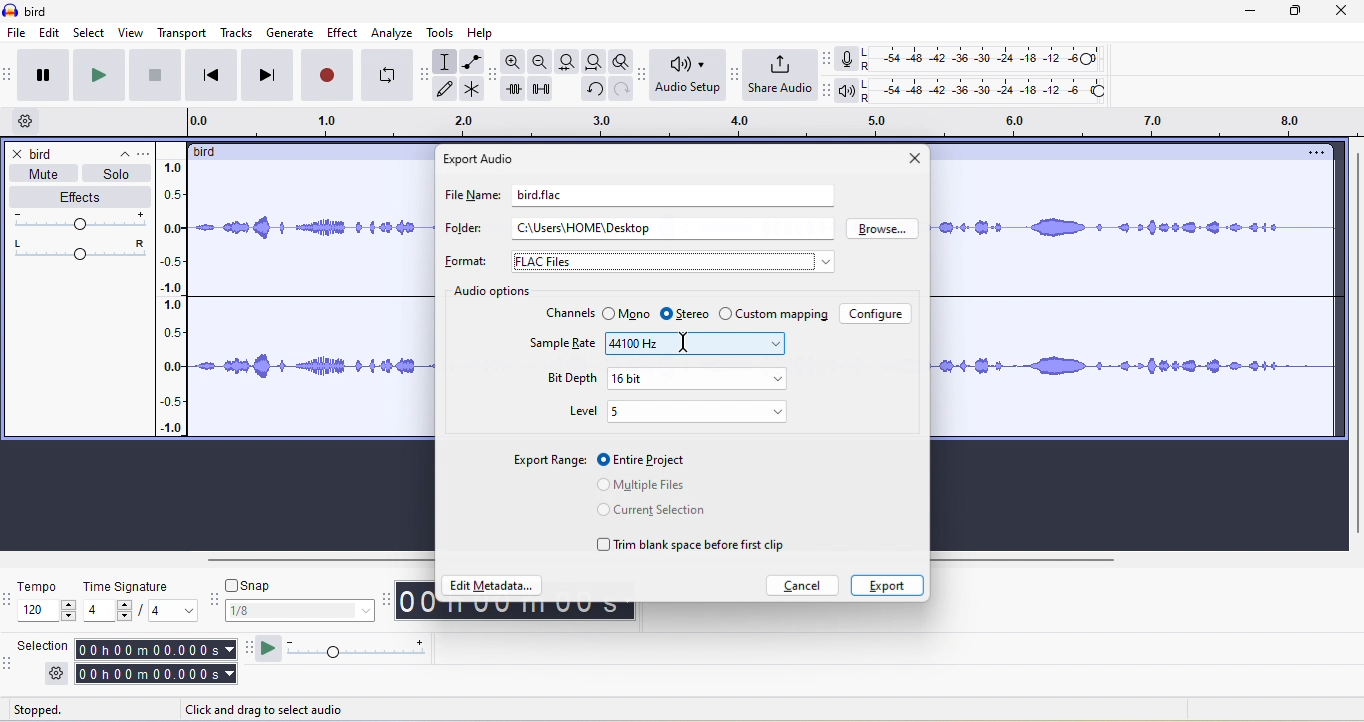  Describe the element at coordinates (447, 61) in the screenshot. I see `selection tool` at that location.